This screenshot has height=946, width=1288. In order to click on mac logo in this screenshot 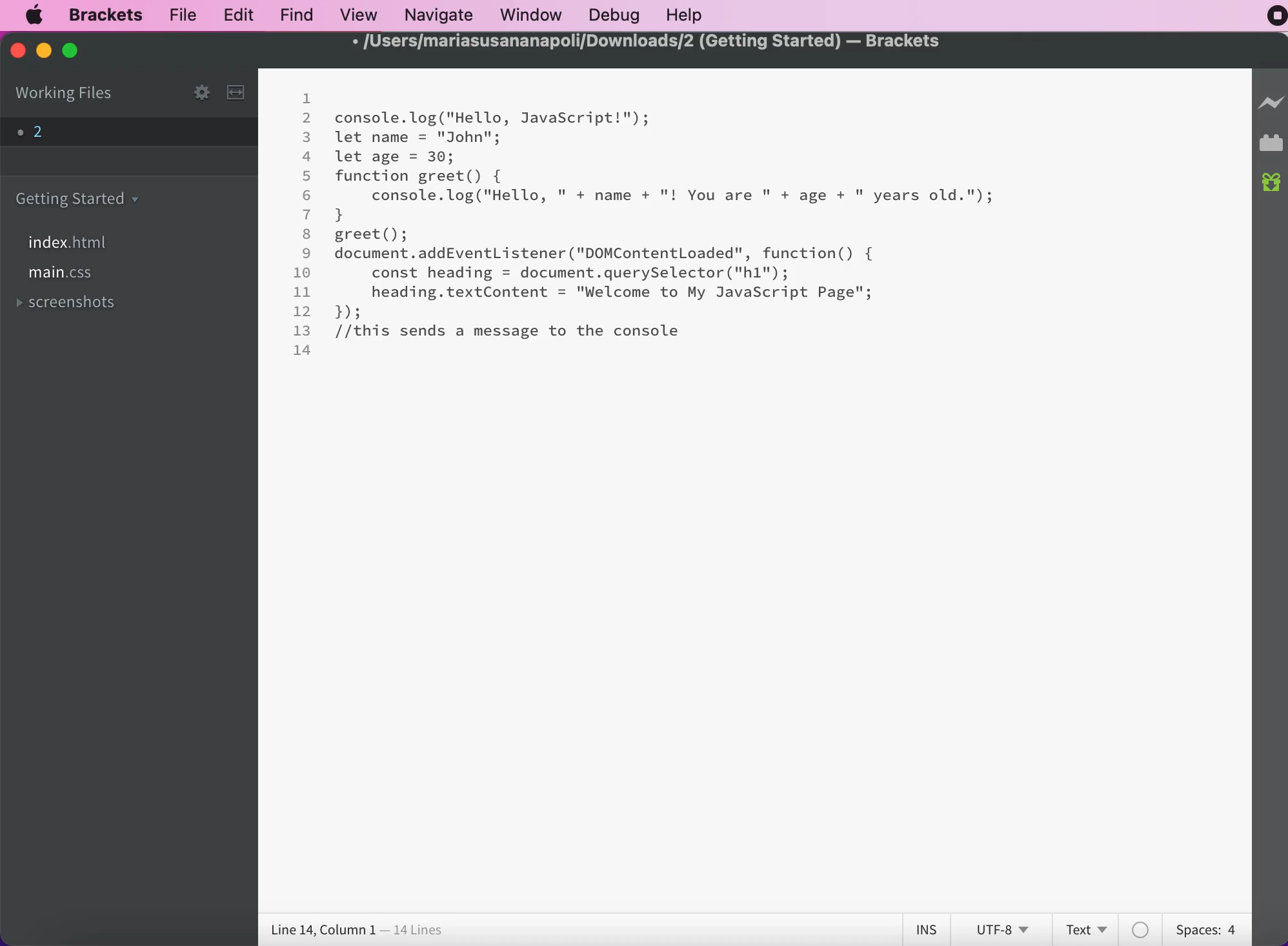, I will do `click(35, 15)`.